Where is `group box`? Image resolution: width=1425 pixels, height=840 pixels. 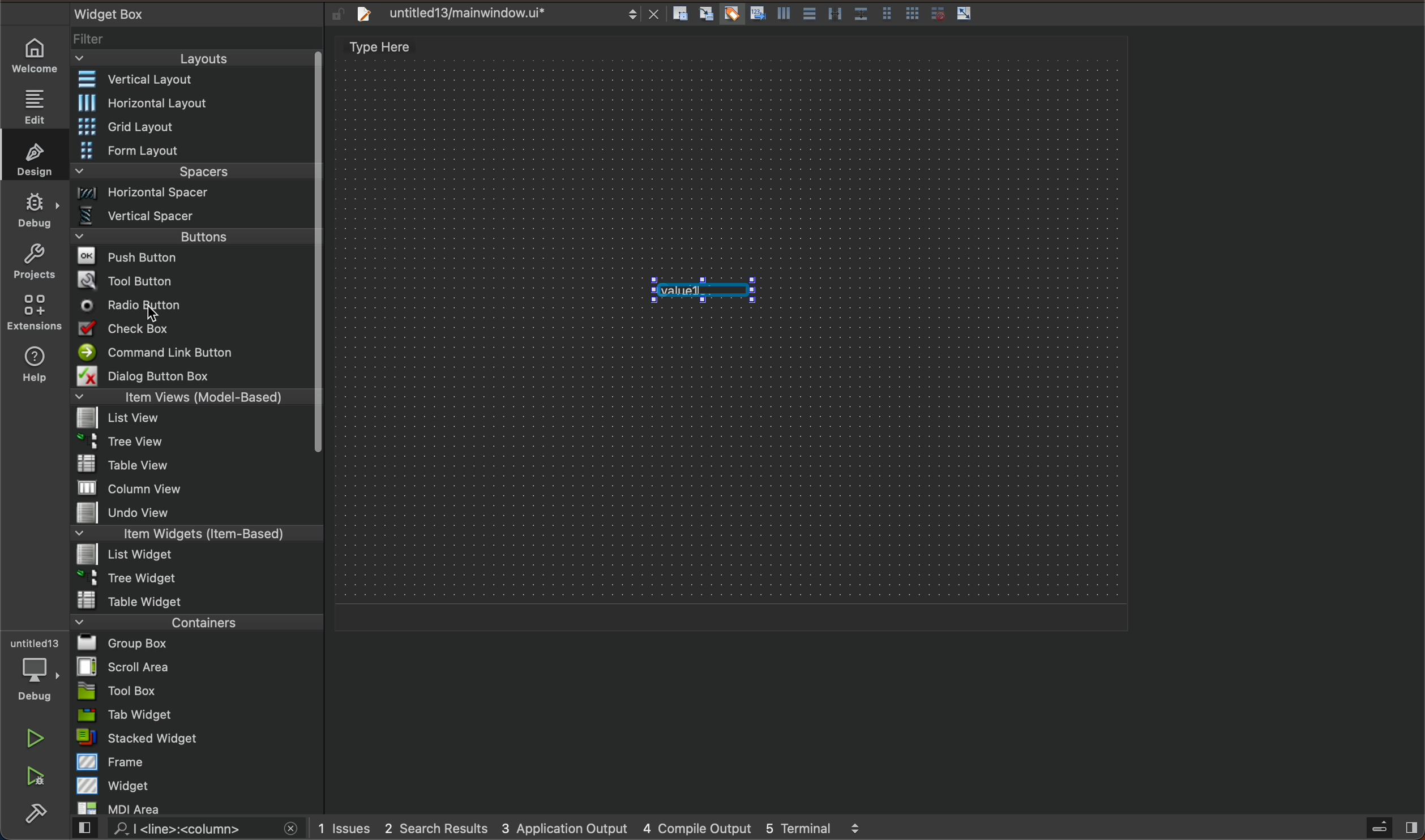
group box is located at coordinates (198, 642).